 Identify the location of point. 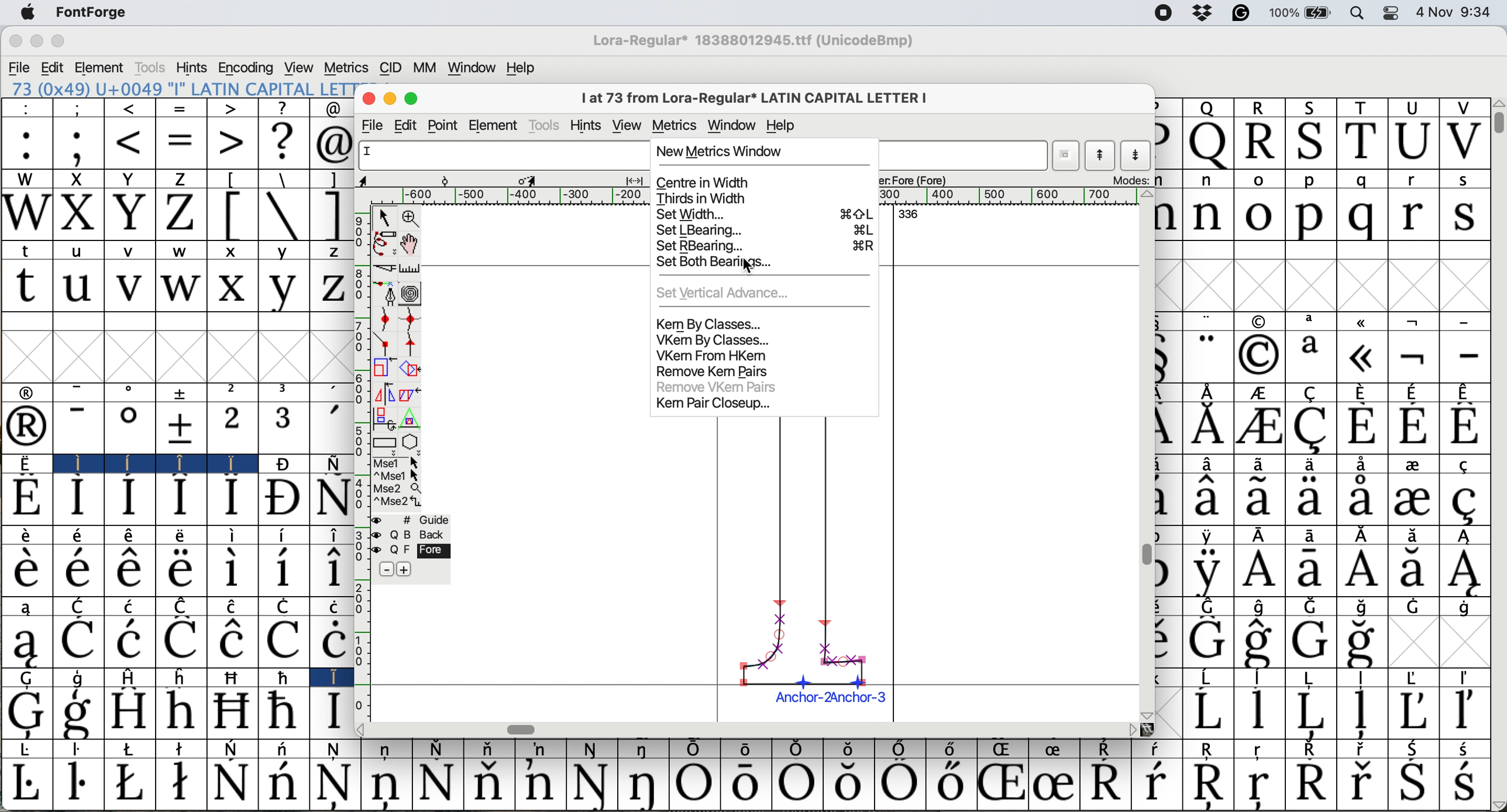
(446, 125).